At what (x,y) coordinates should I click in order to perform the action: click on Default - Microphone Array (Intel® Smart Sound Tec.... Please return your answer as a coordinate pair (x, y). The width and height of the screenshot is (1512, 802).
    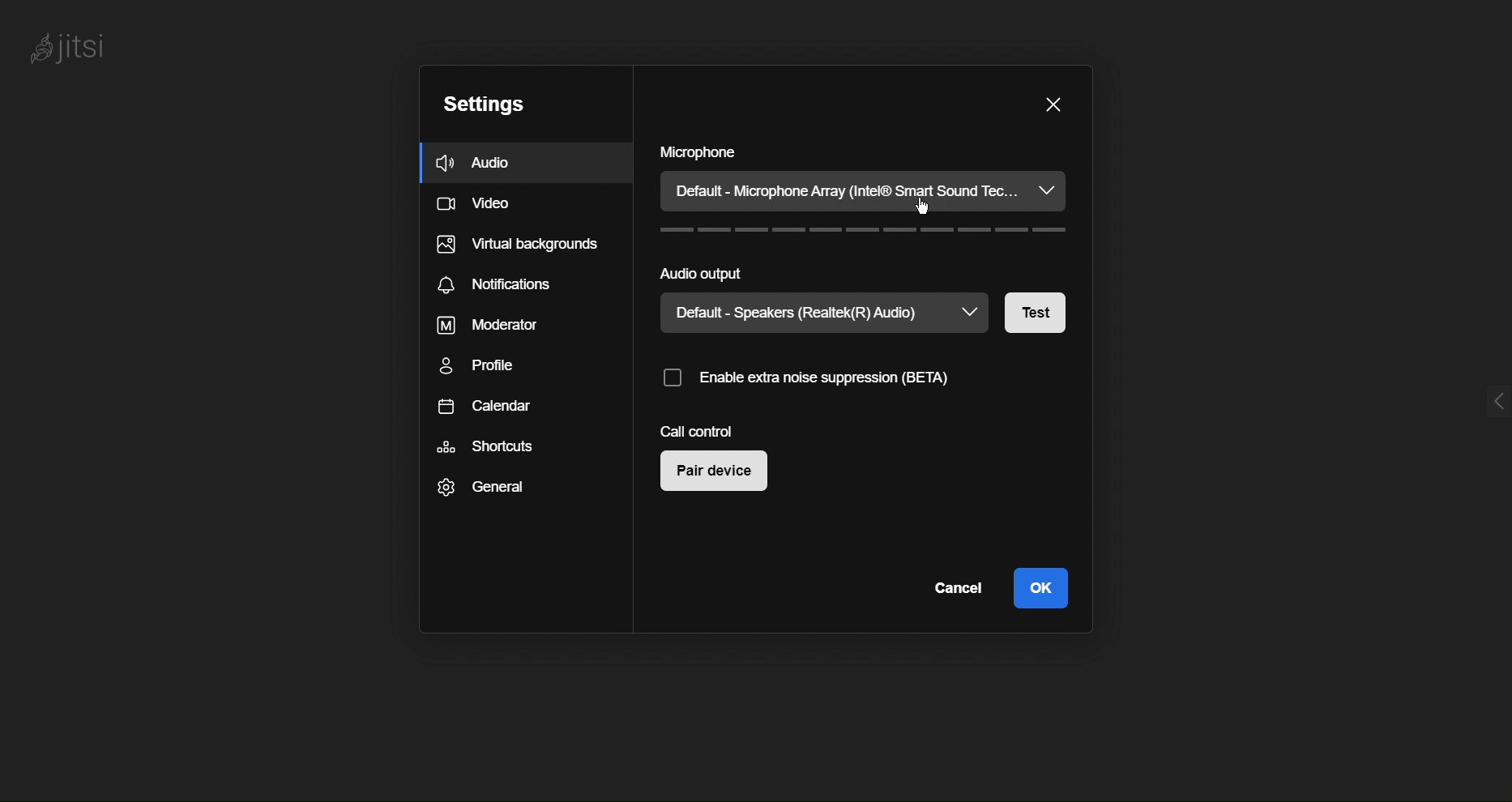
    Looking at the image, I should click on (863, 192).